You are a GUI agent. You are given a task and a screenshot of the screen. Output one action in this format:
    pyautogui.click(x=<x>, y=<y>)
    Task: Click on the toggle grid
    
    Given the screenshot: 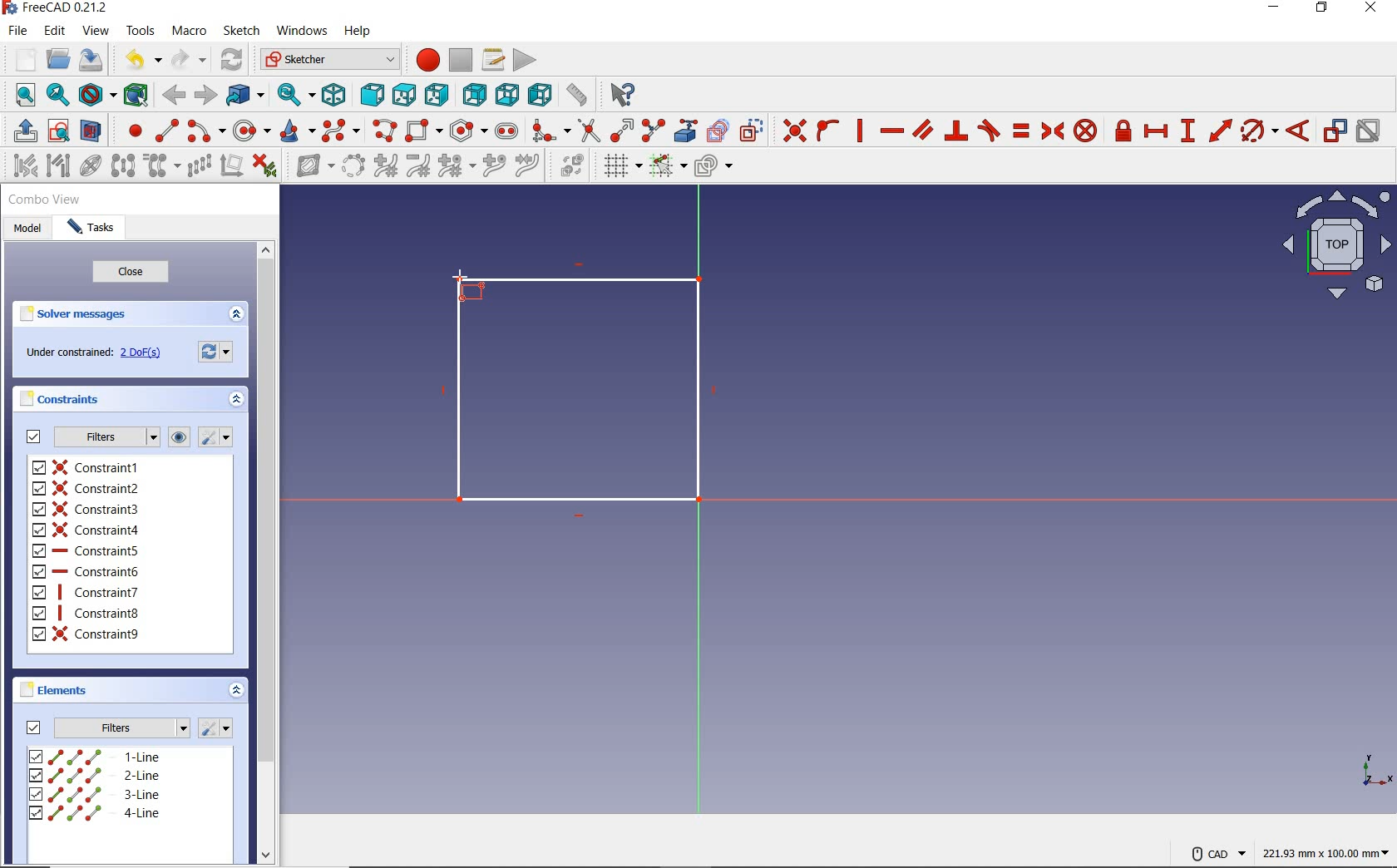 What is the action you would take?
    pyautogui.click(x=619, y=167)
    